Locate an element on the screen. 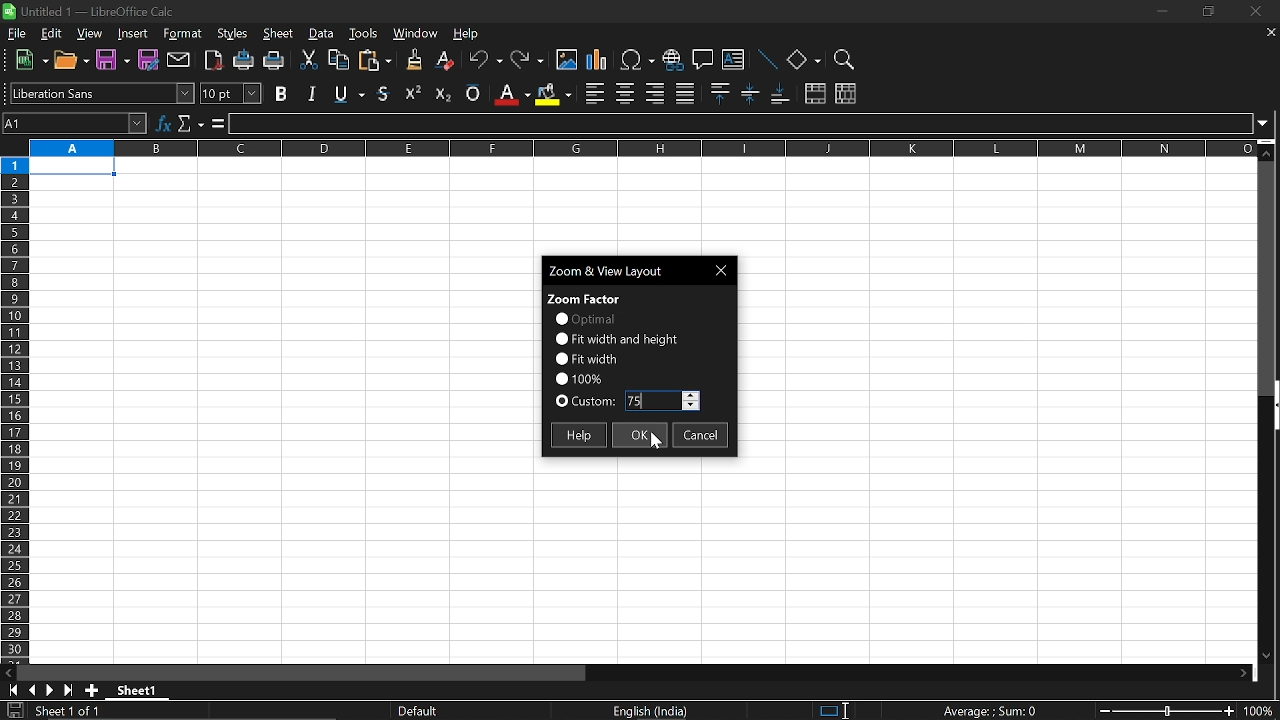 The height and width of the screenshot is (720, 1280). styles is located at coordinates (233, 35).